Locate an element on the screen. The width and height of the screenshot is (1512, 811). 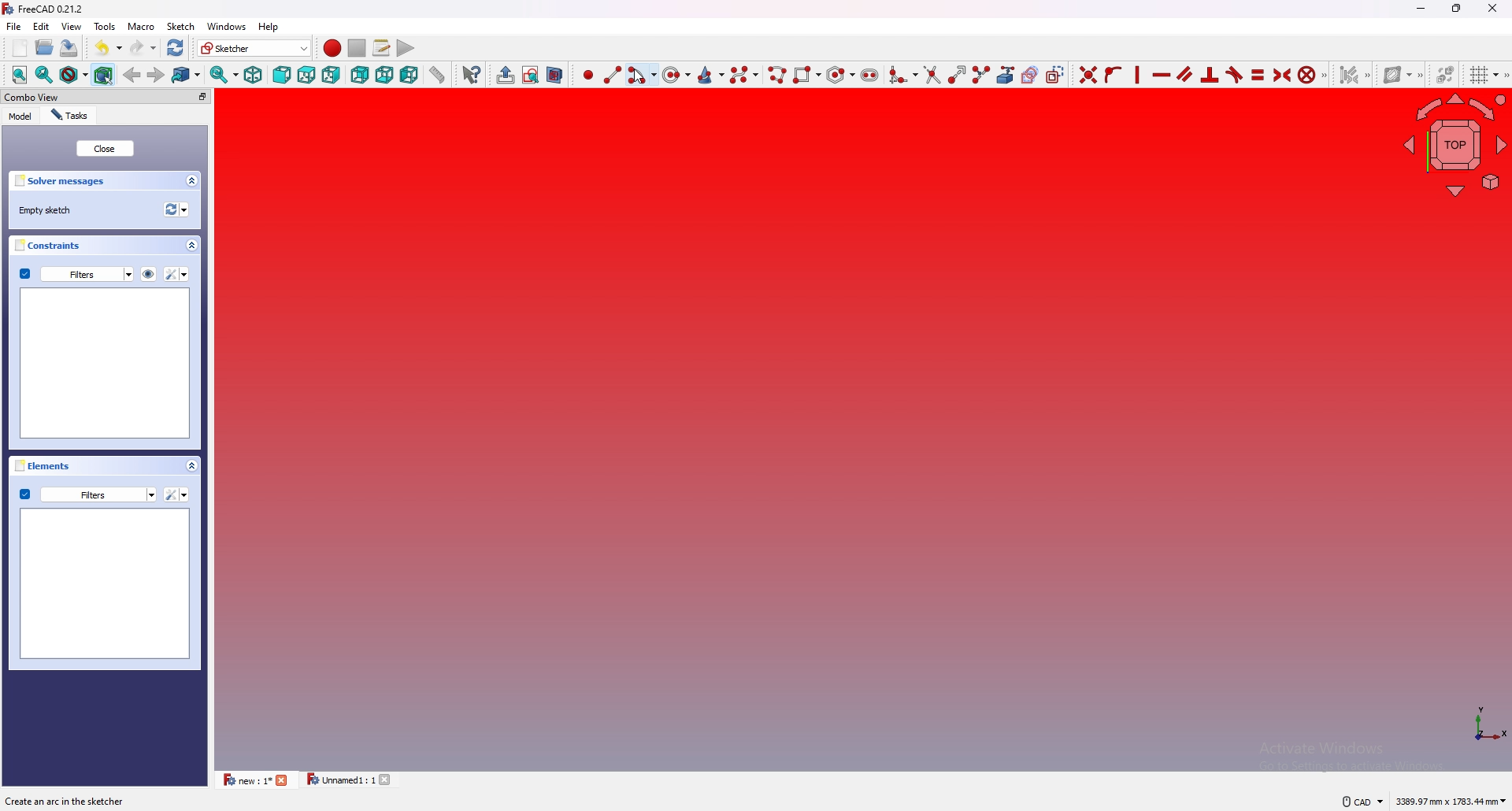
collapse is located at coordinates (192, 246).